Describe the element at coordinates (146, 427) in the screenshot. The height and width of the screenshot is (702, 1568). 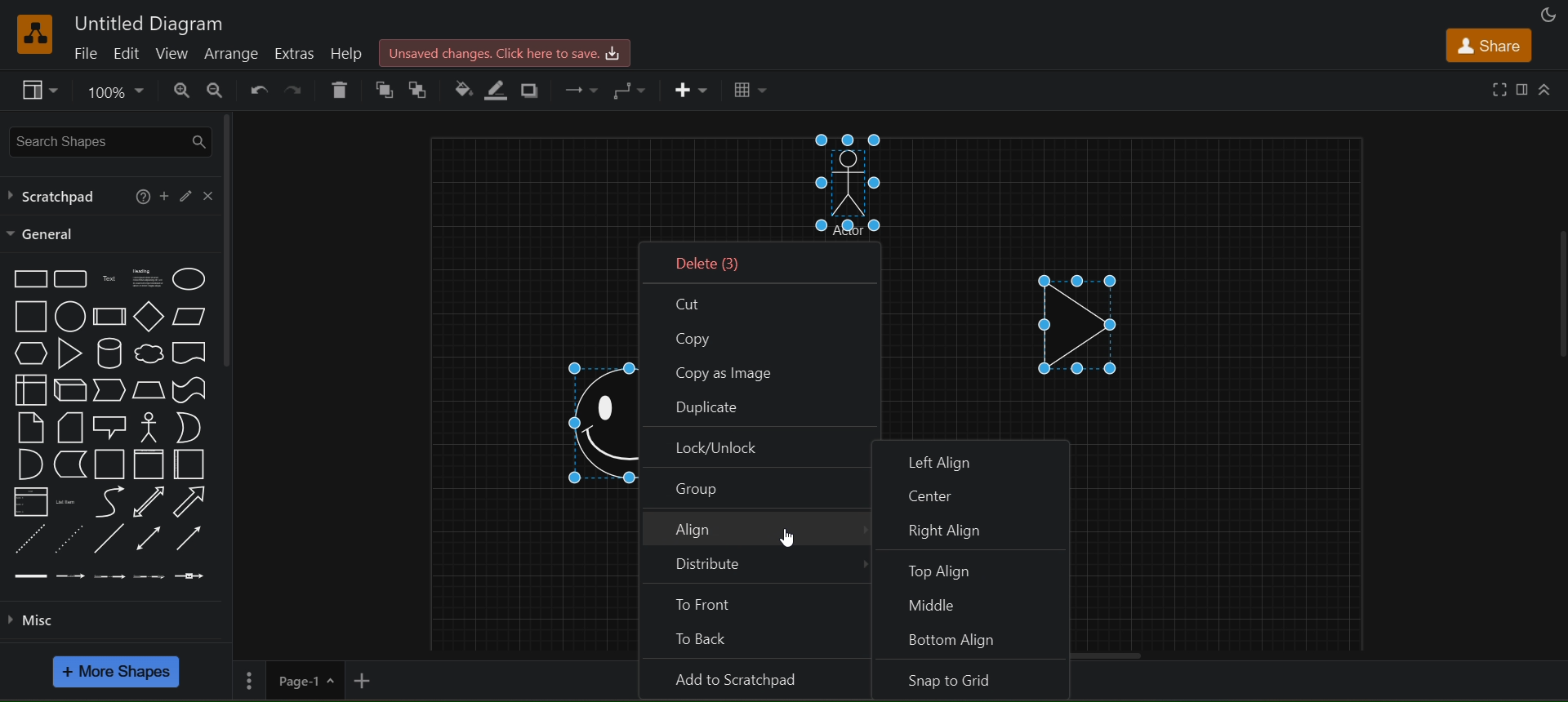
I see `actor` at that location.